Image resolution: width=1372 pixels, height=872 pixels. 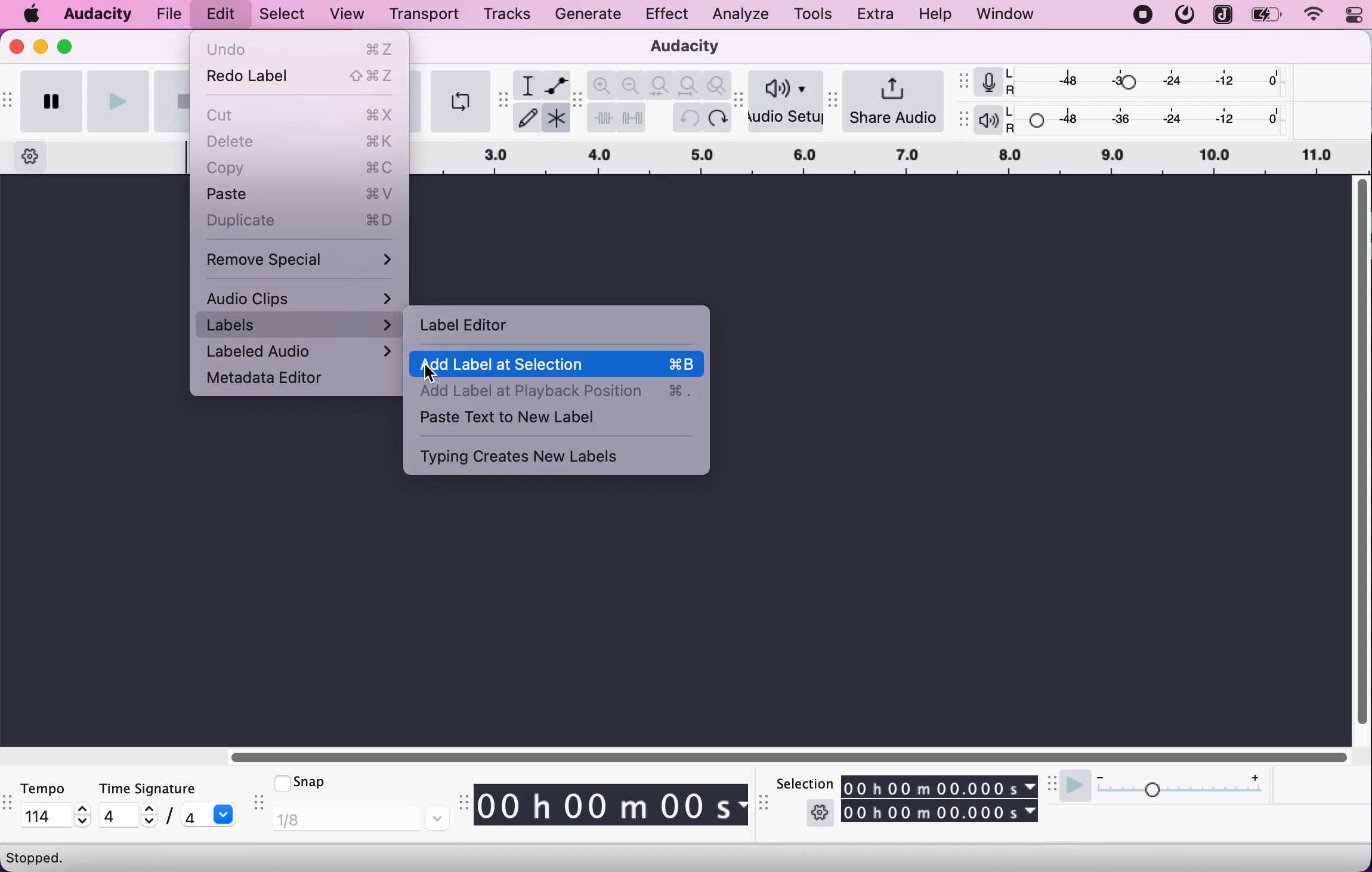 I want to click on recording level, so click(x=1148, y=81).